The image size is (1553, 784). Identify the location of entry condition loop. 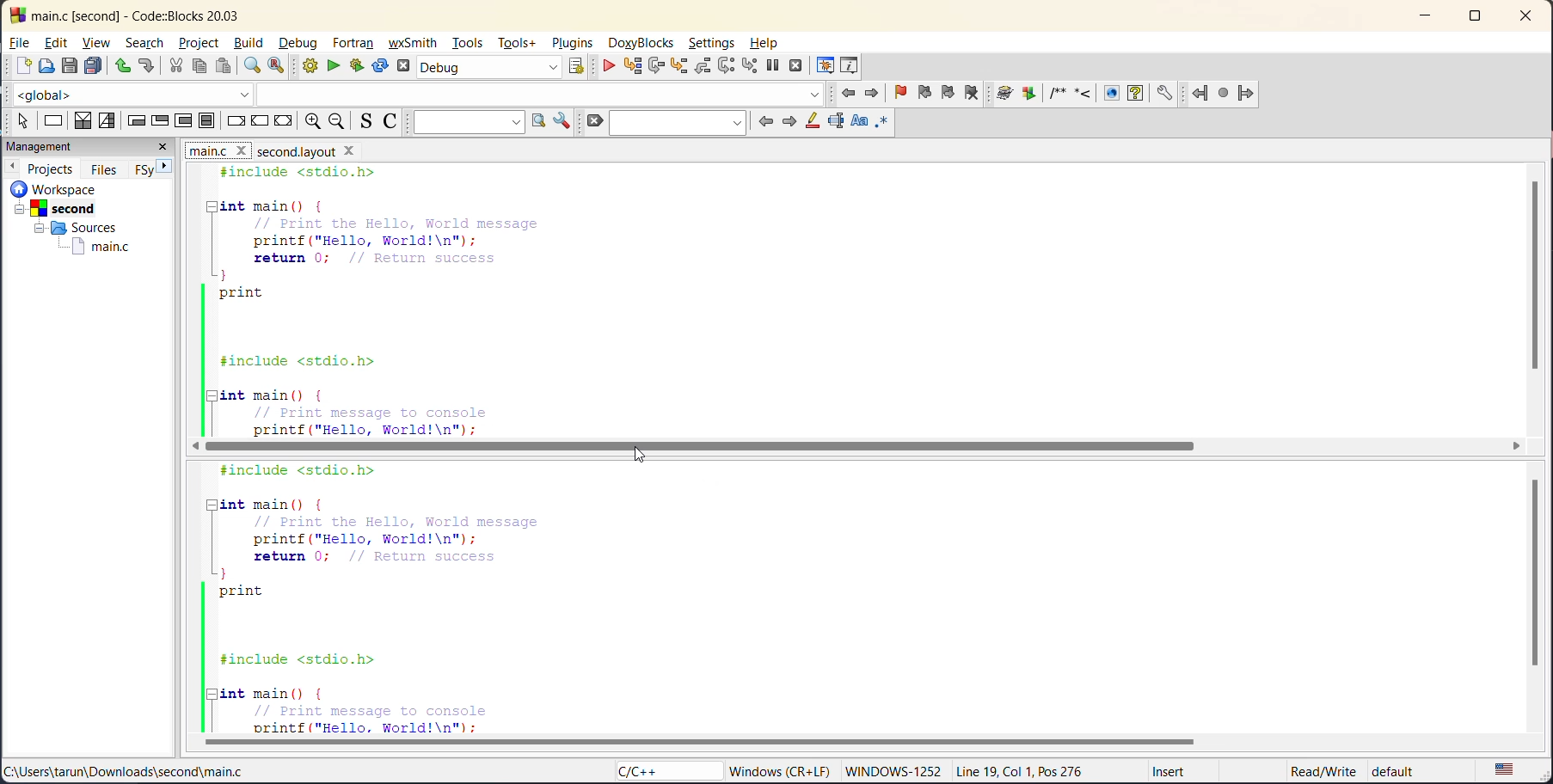
(137, 121).